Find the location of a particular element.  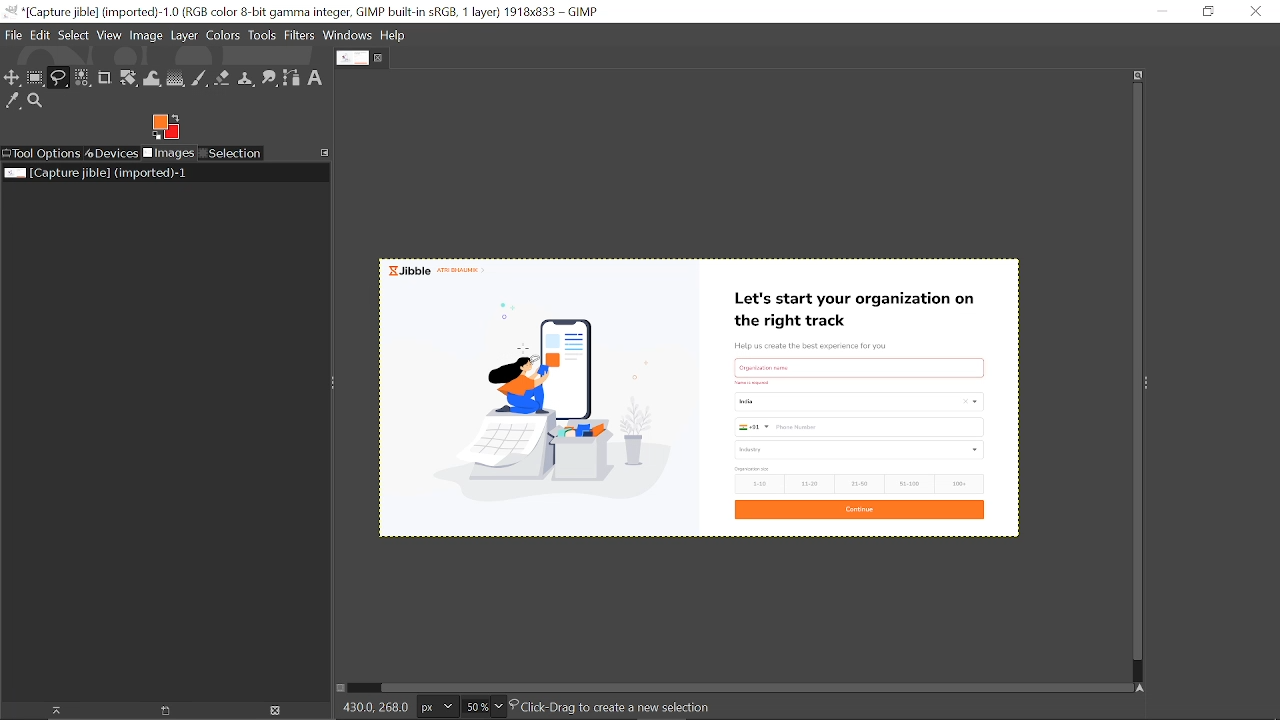

Tools is located at coordinates (262, 36).